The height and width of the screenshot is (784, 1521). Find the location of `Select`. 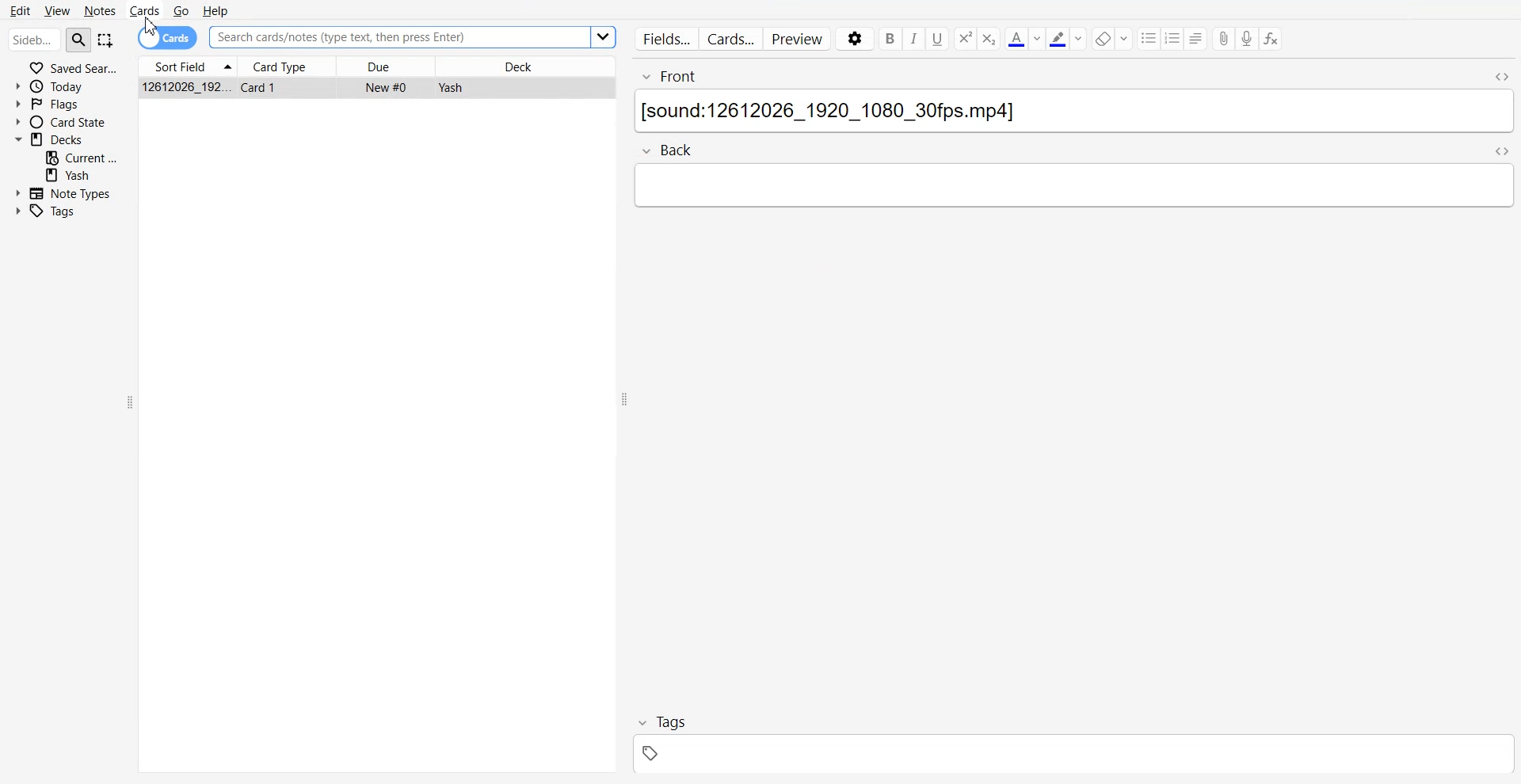

Select is located at coordinates (106, 41).